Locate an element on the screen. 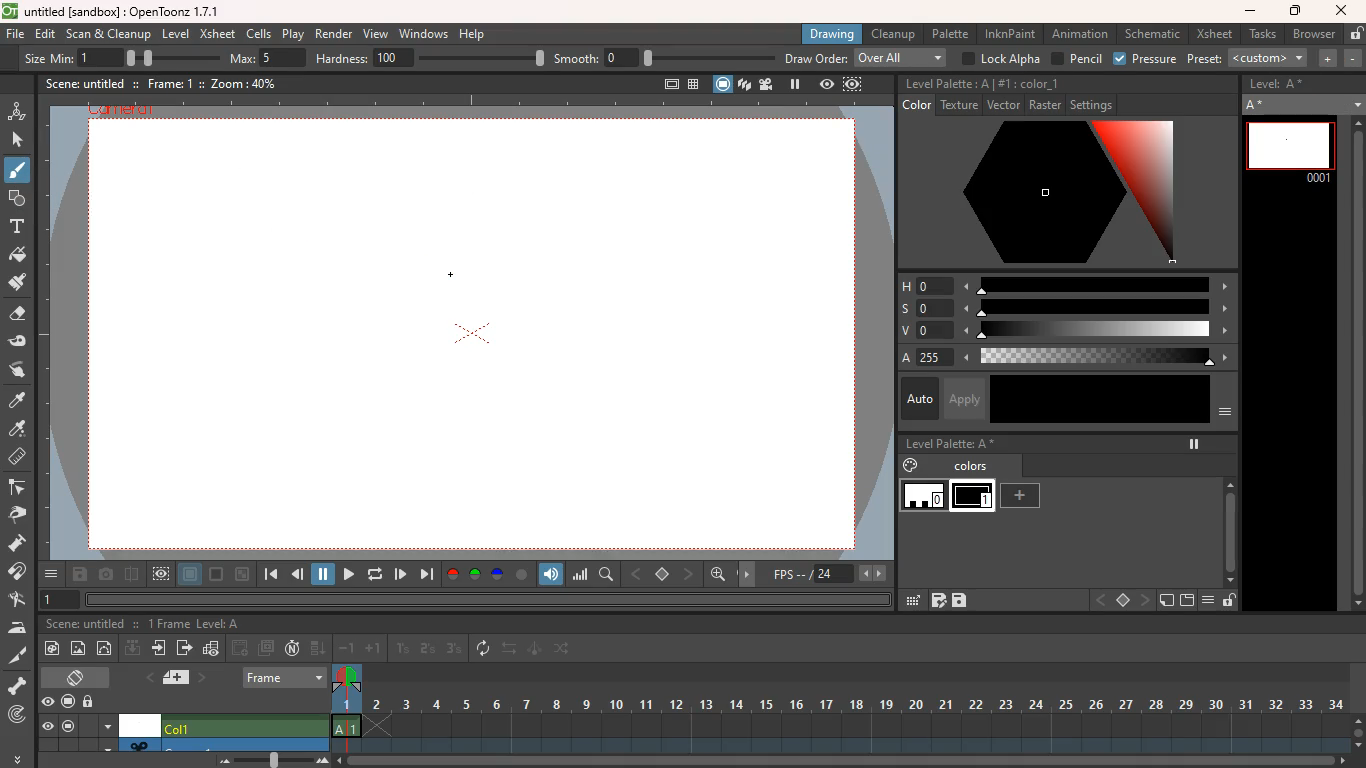 This screenshot has width=1366, height=768. level palette: A* is located at coordinates (950, 445).